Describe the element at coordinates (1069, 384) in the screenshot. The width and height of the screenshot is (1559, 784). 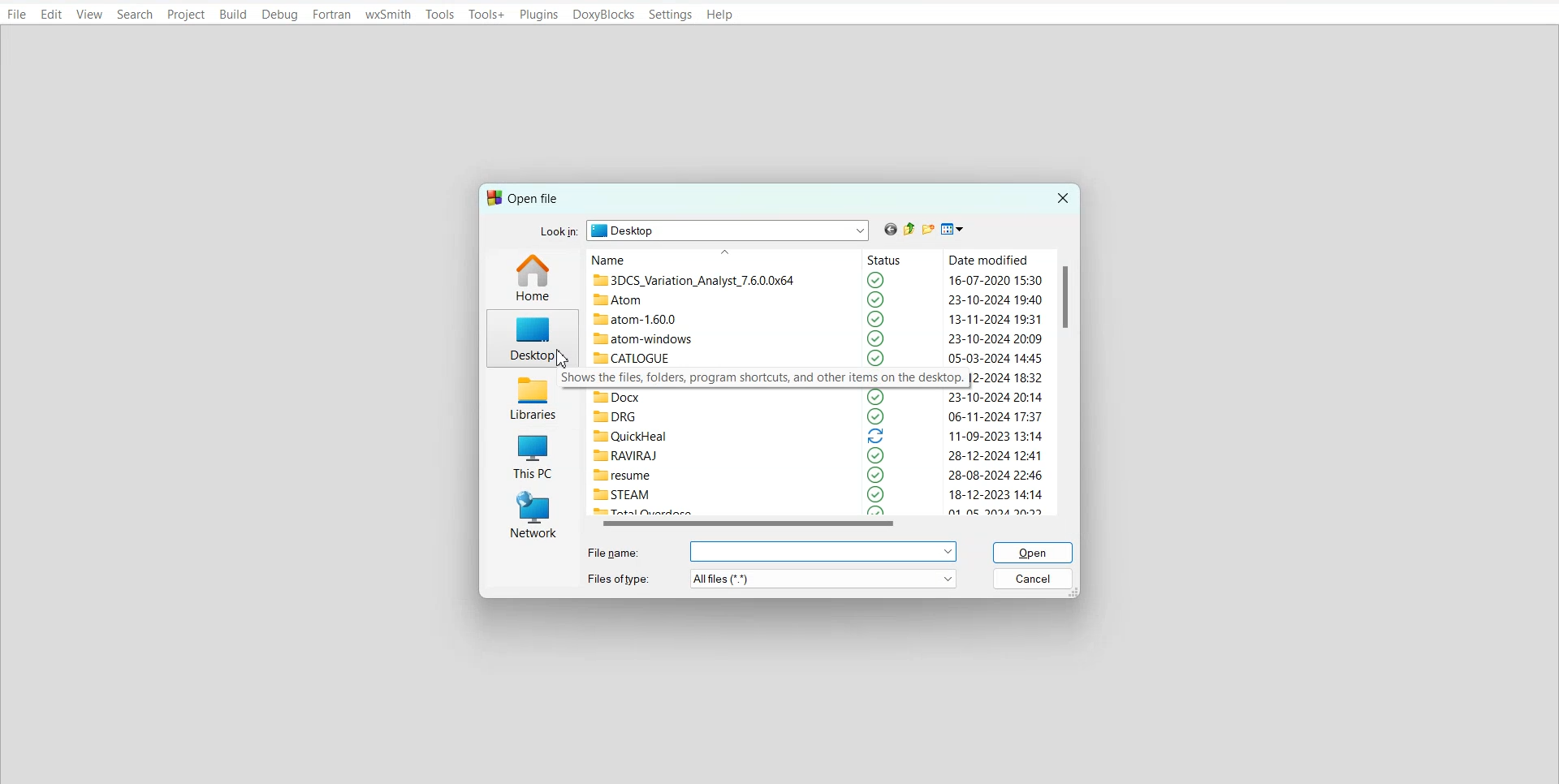
I see `Vertical scroll bar` at that location.